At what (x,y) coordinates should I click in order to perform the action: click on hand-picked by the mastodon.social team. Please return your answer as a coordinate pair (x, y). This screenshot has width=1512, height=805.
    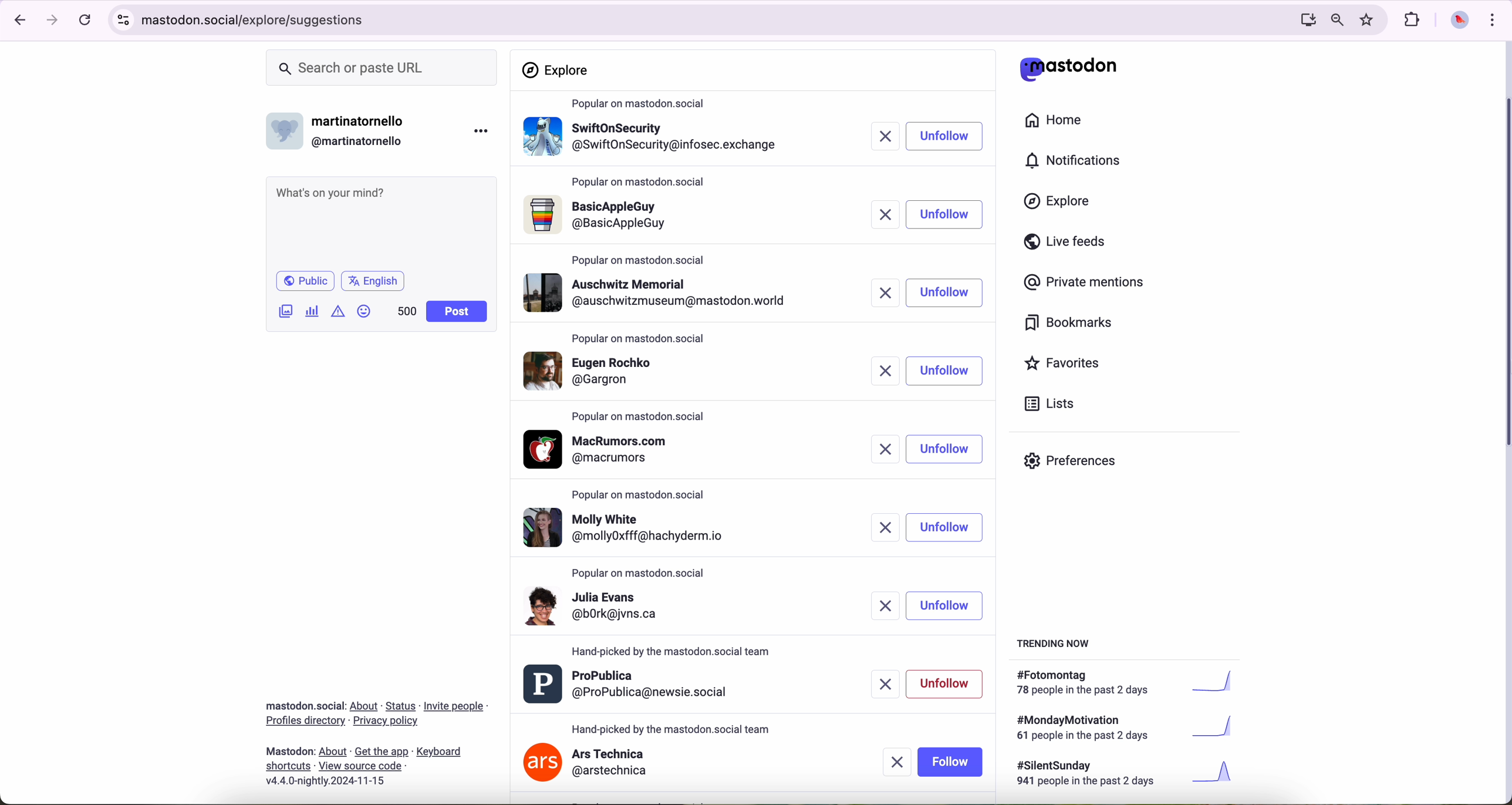
    Looking at the image, I should click on (672, 727).